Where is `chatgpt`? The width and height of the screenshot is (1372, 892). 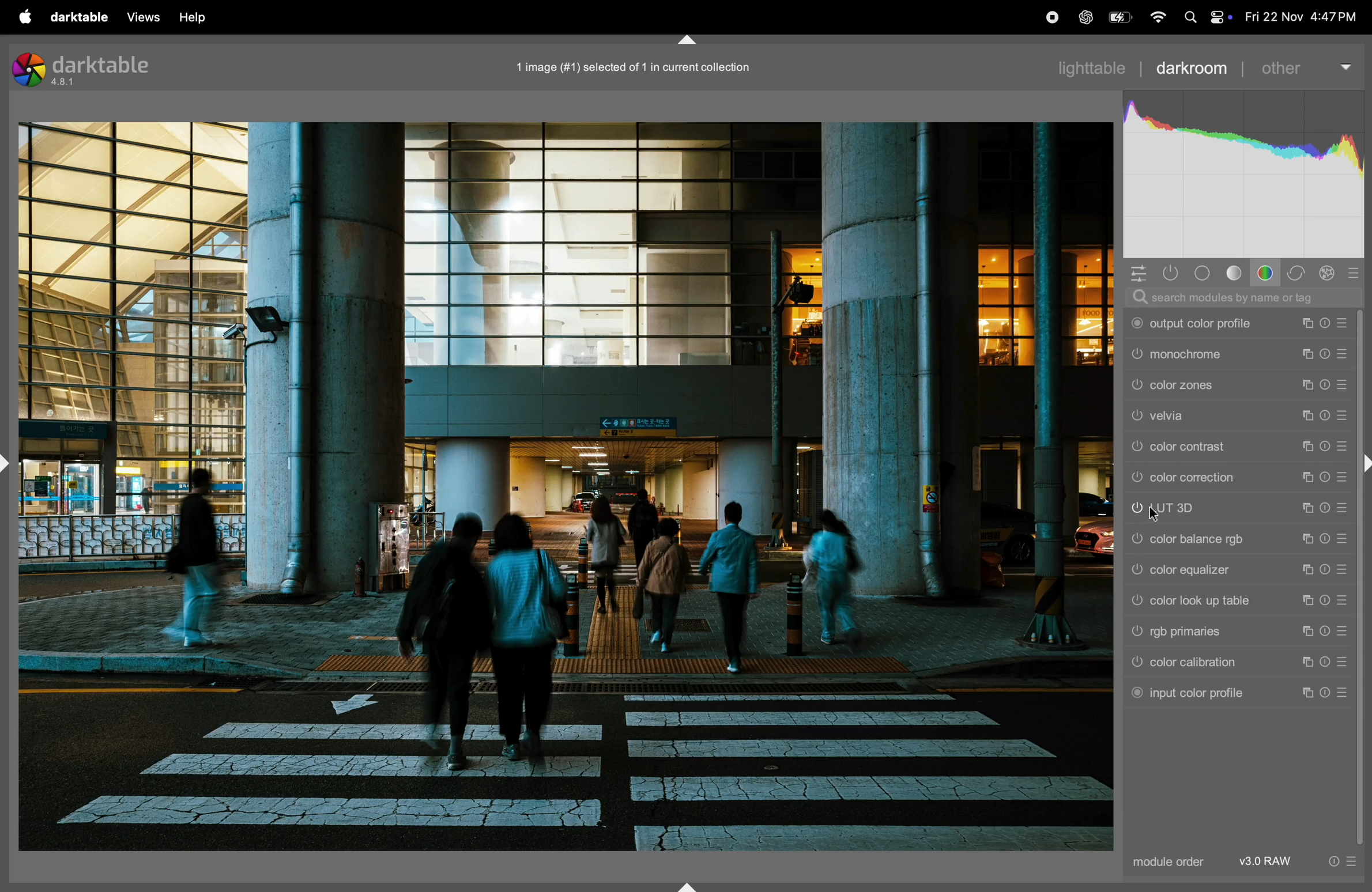 chatgpt is located at coordinates (1081, 16).